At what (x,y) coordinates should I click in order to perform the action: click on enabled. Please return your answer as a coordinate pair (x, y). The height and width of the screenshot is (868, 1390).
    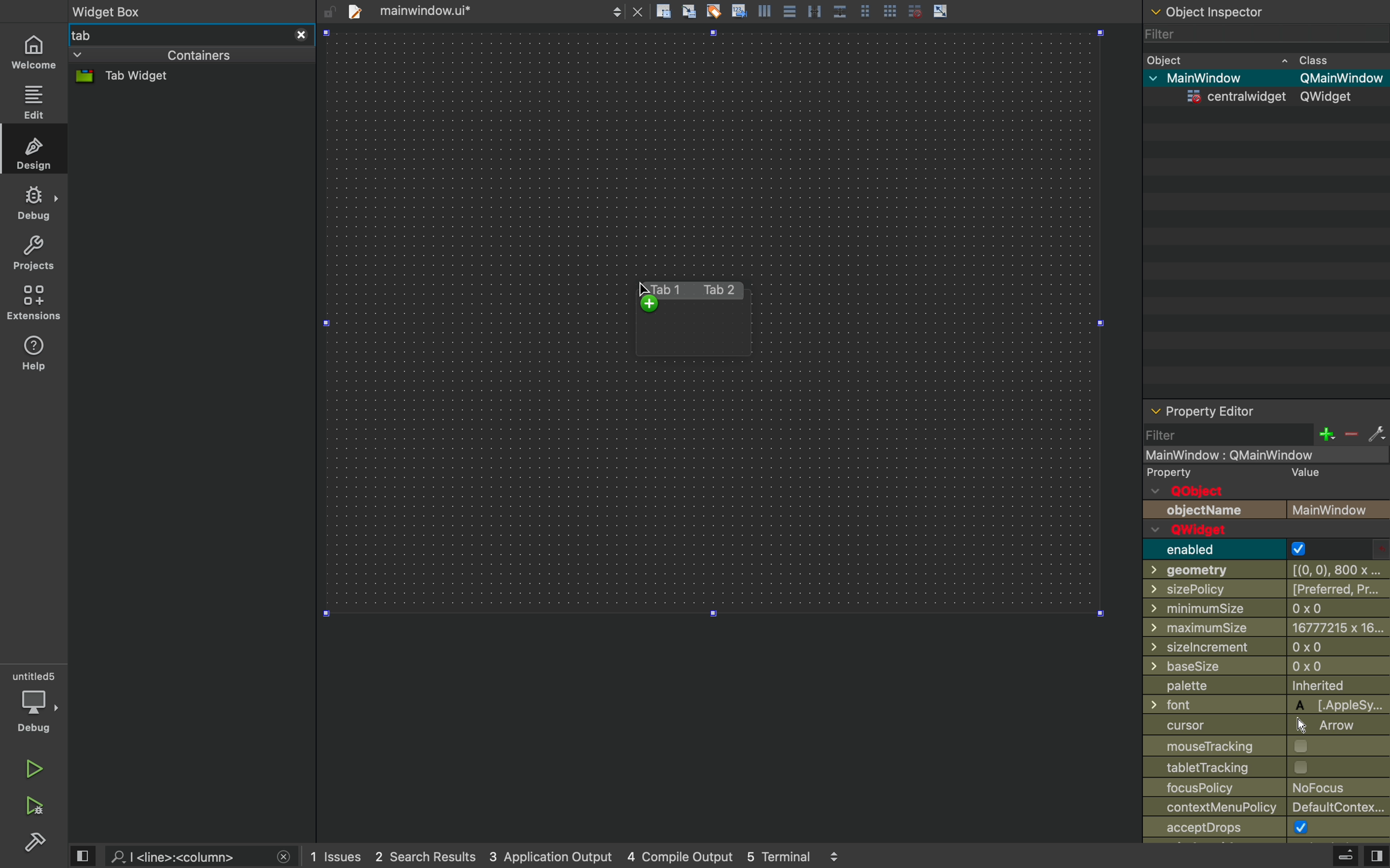
    Looking at the image, I should click on (1231, 549).